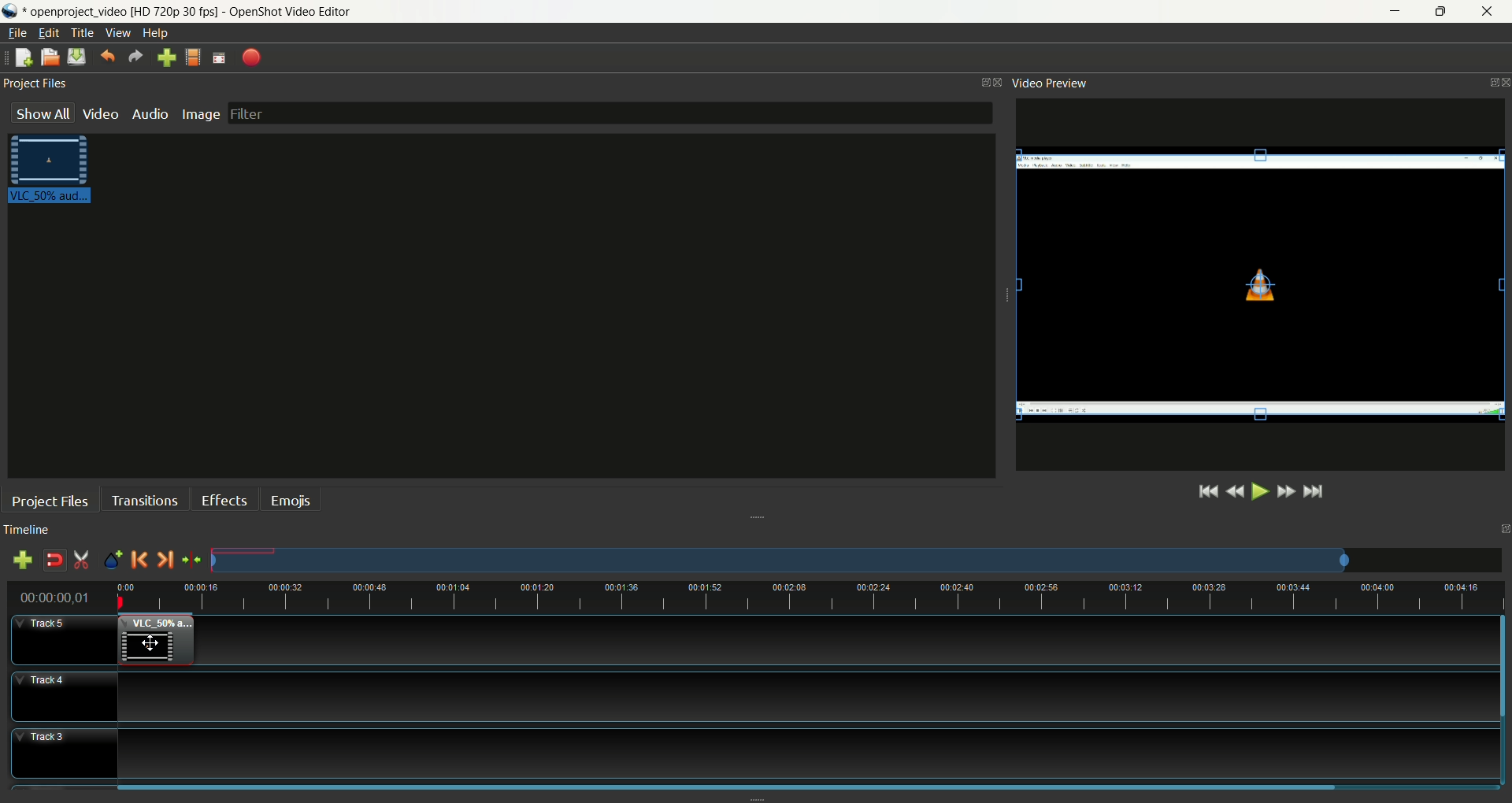 The image size is (1512, 803). Describe the element at coordinates (166, 58) in the screenshot. I see `import file` at that location.